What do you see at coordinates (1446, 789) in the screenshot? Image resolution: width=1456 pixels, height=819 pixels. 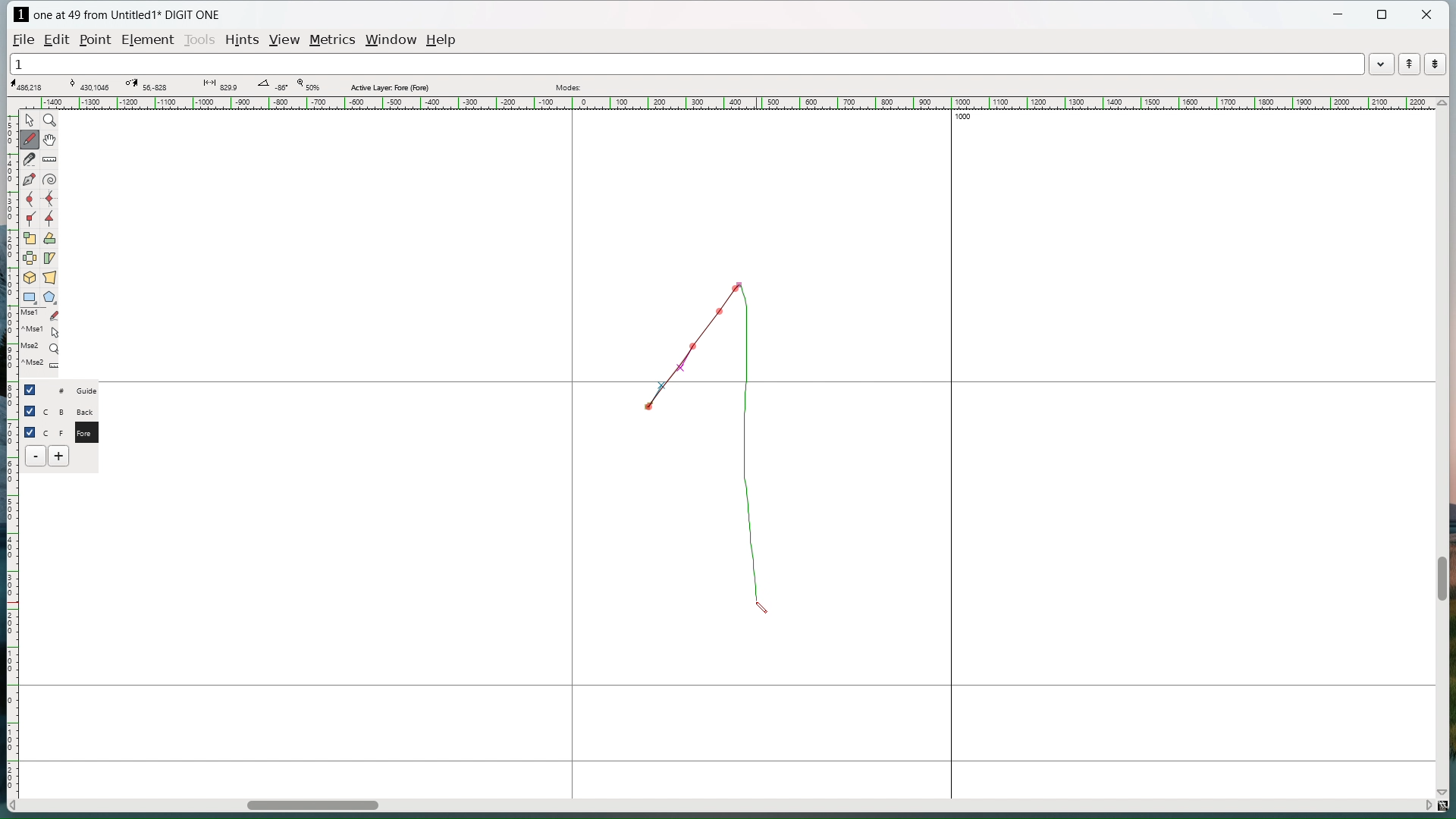 I see `scroll down` at bounding box center [1446, 789].